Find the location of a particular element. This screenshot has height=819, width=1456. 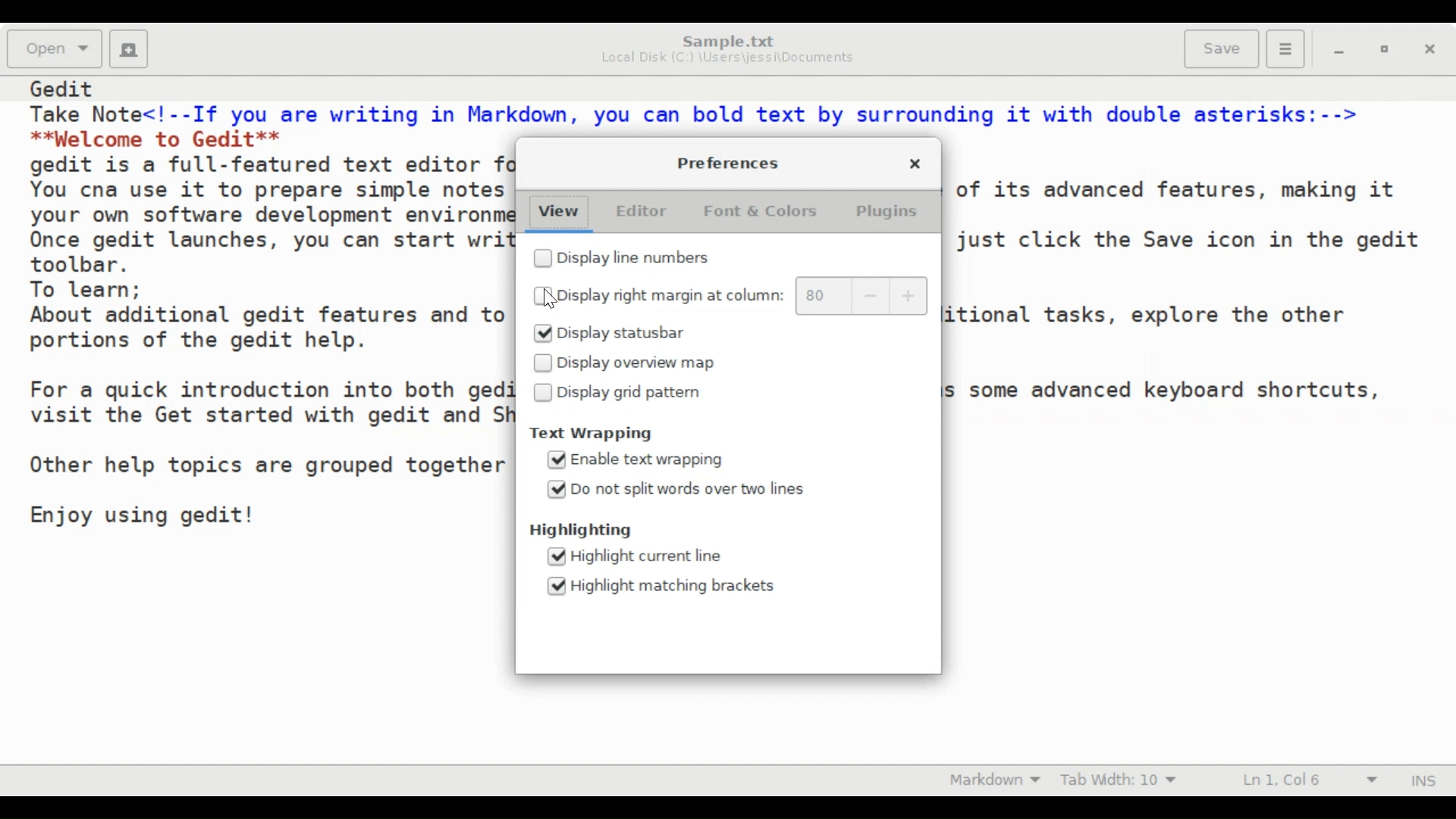

Highlight mode: Markdown is located at coordinates (995, 780).